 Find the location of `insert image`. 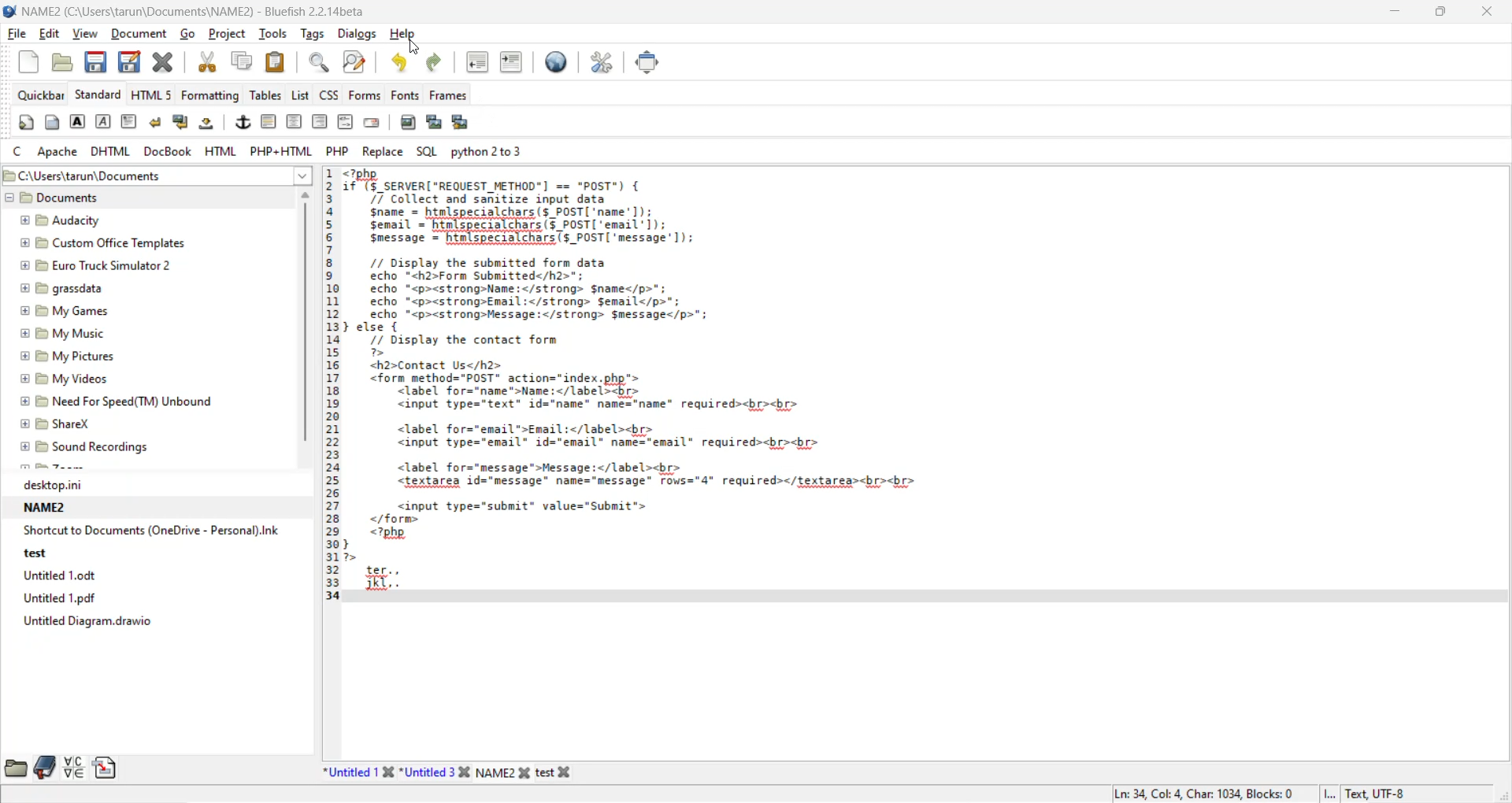

insert image is located at coordinates (412, 124).